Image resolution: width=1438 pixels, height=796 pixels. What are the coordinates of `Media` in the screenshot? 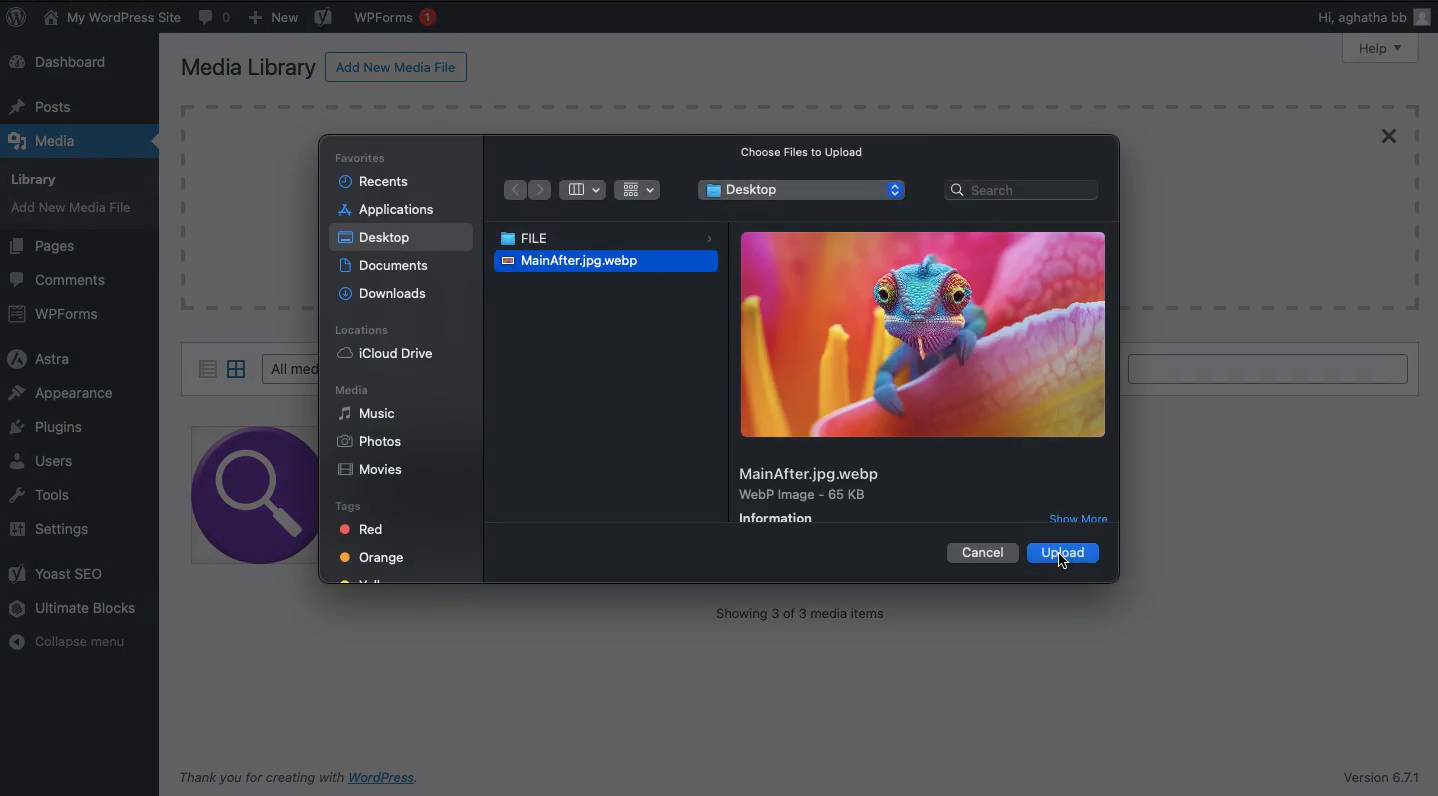 It's located at (49, 138).